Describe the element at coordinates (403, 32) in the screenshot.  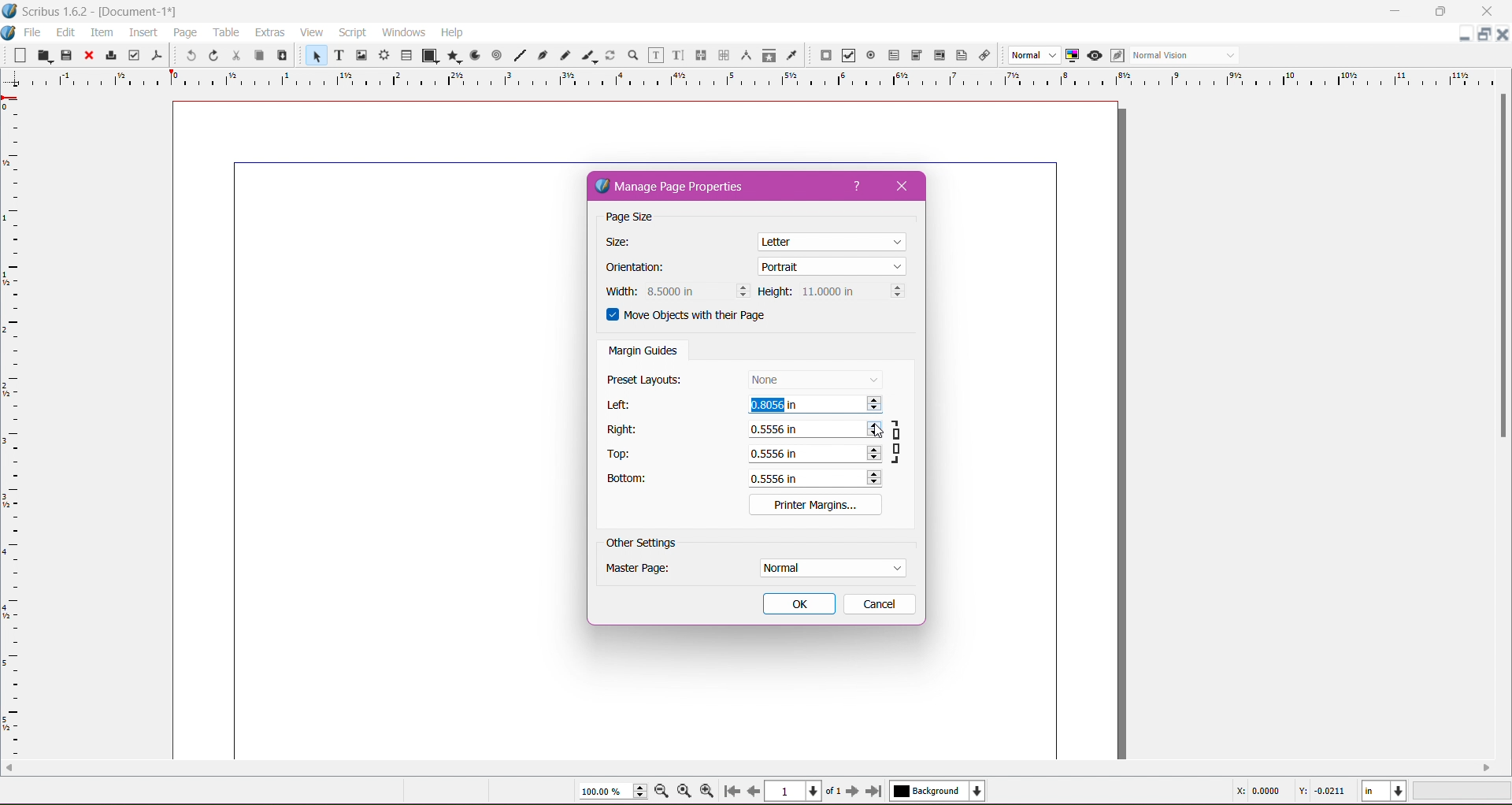
I see `Windows` at that location.